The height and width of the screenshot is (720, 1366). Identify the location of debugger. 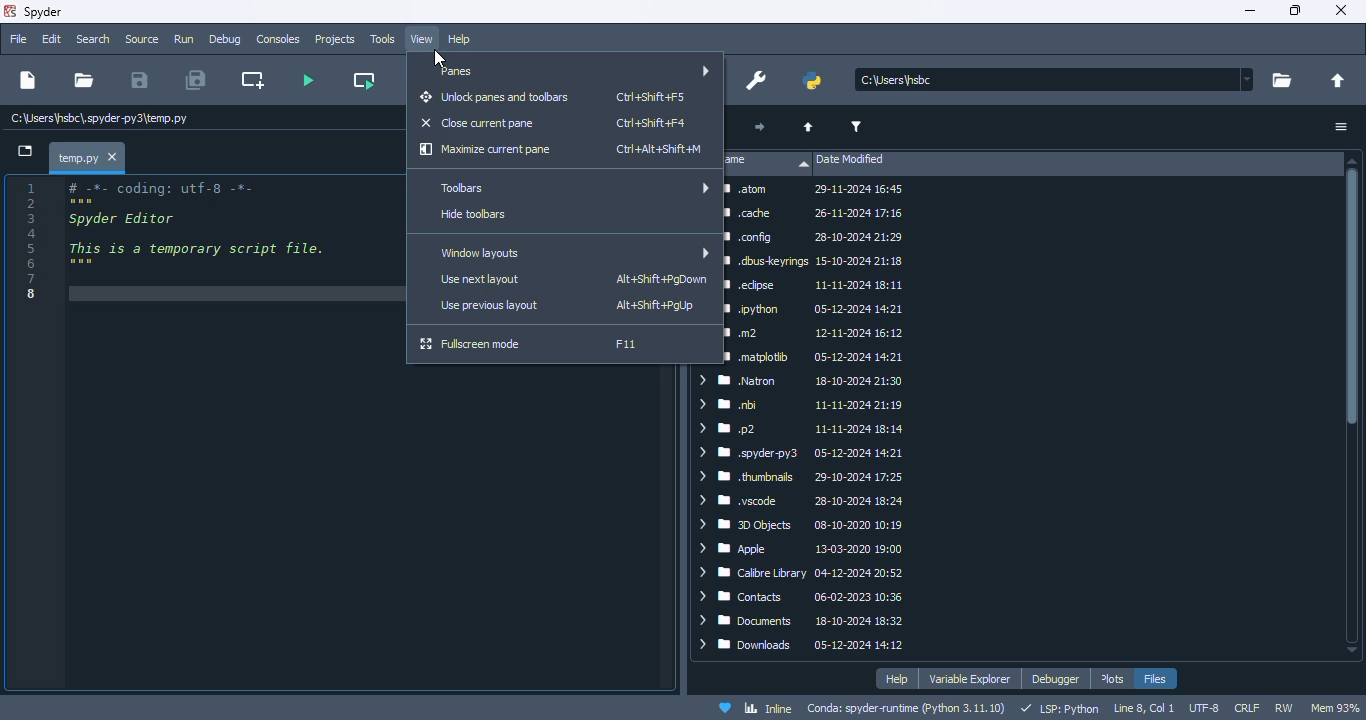
(1055, 679).